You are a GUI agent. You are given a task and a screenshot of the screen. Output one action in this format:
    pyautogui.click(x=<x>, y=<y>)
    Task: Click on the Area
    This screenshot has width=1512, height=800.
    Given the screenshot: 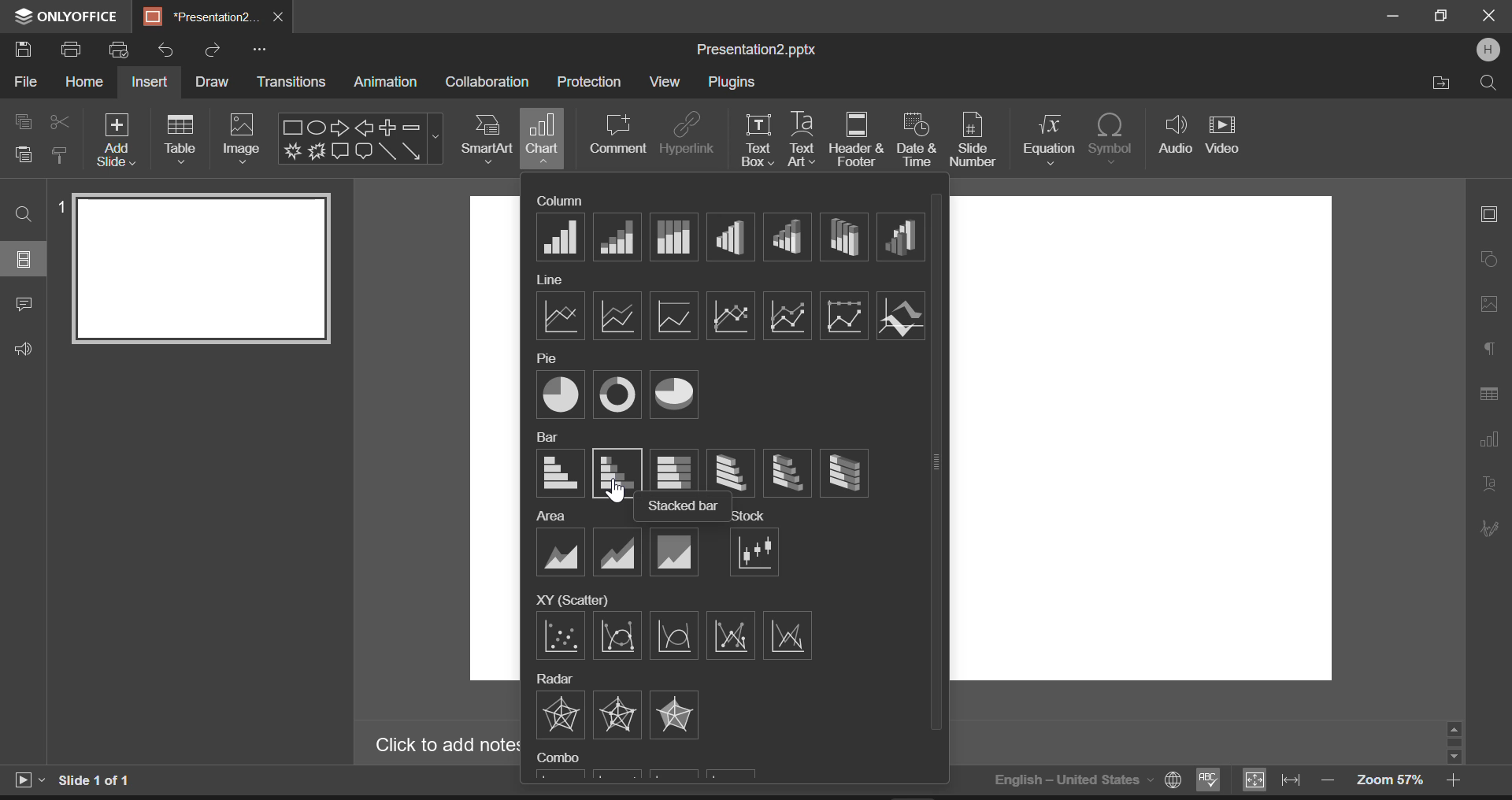 What is the action you would take?
    pyautogui.click(x=553, y=516)
    